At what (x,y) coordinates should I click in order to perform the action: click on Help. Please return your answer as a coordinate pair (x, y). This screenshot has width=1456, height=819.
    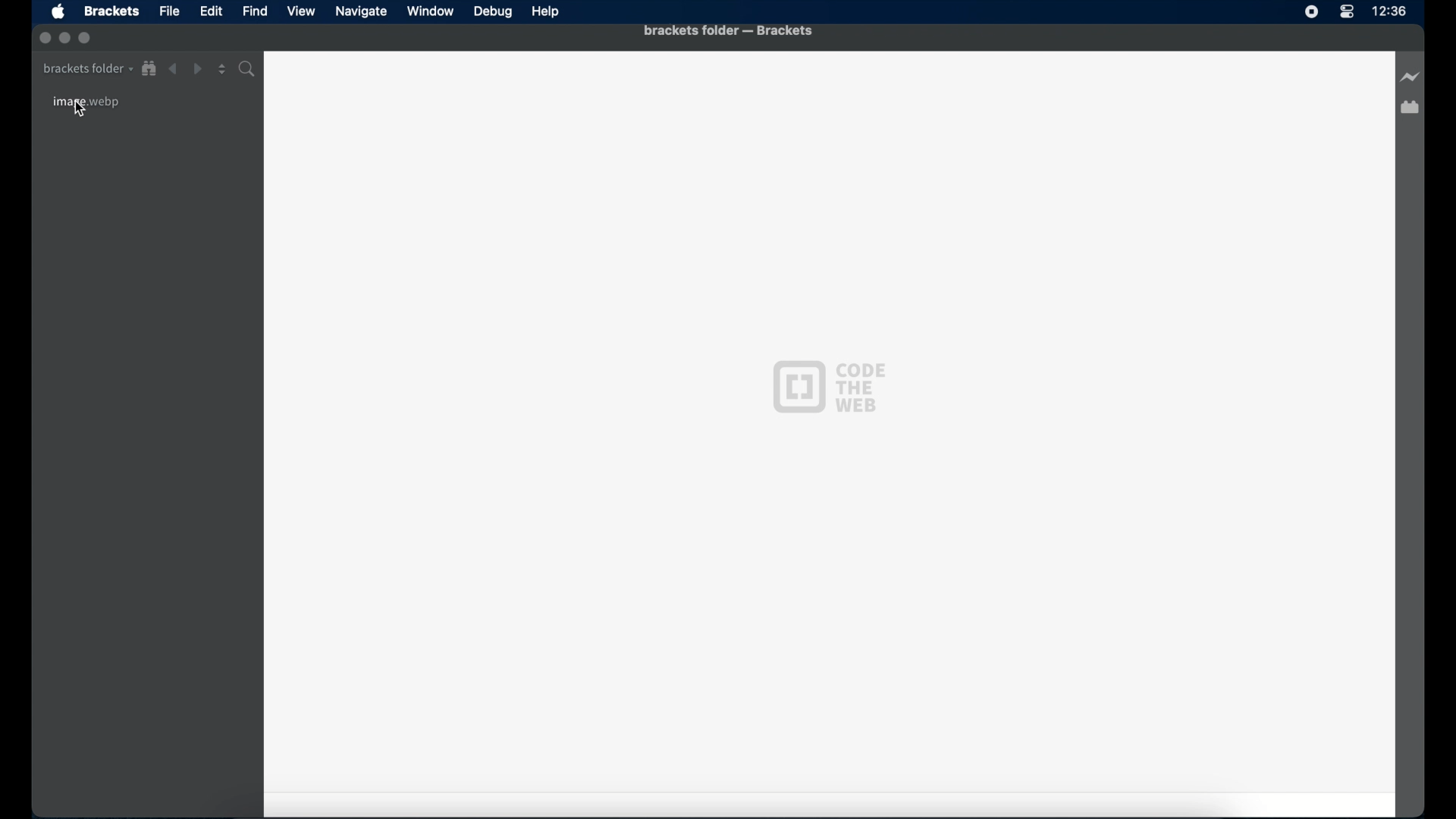
    Looking at the image, I should click on (548, 11).